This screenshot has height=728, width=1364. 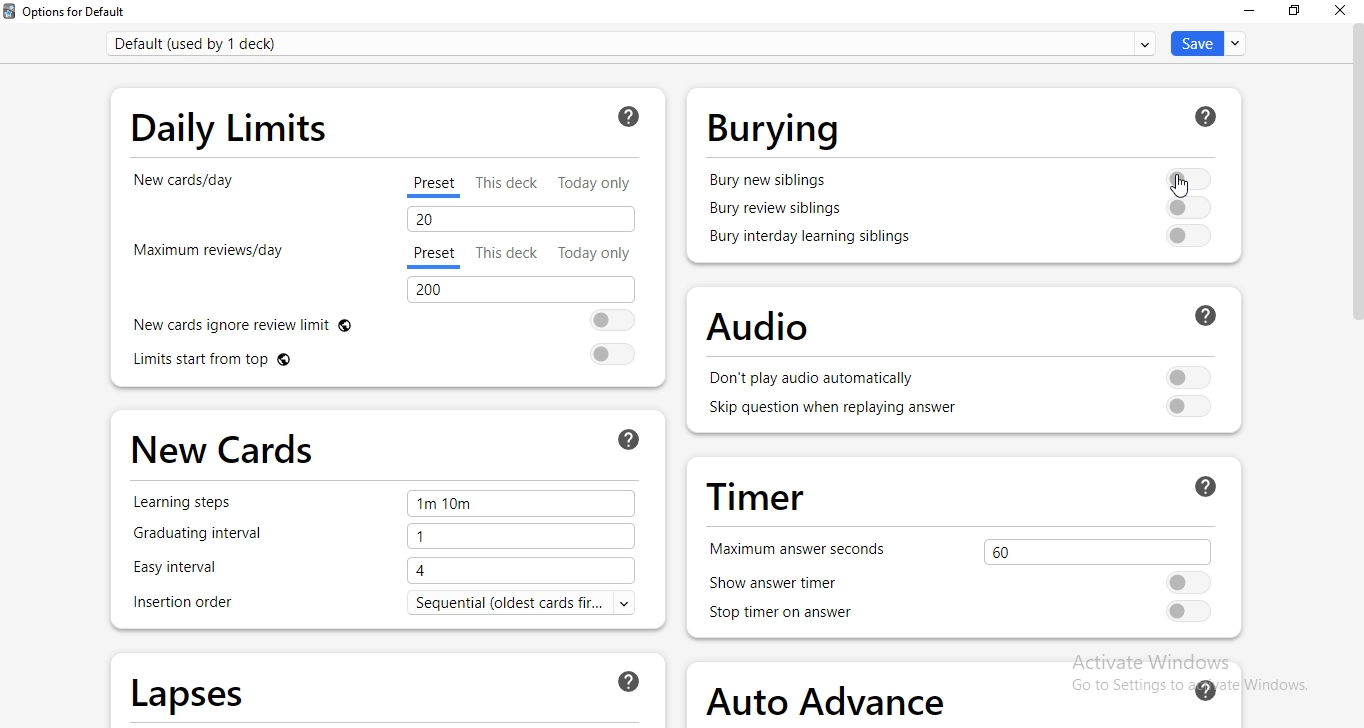 What do you see at coordinates (1189, 237) in the screenshot?
I see `toggle` at bounding box center [1189, 237].